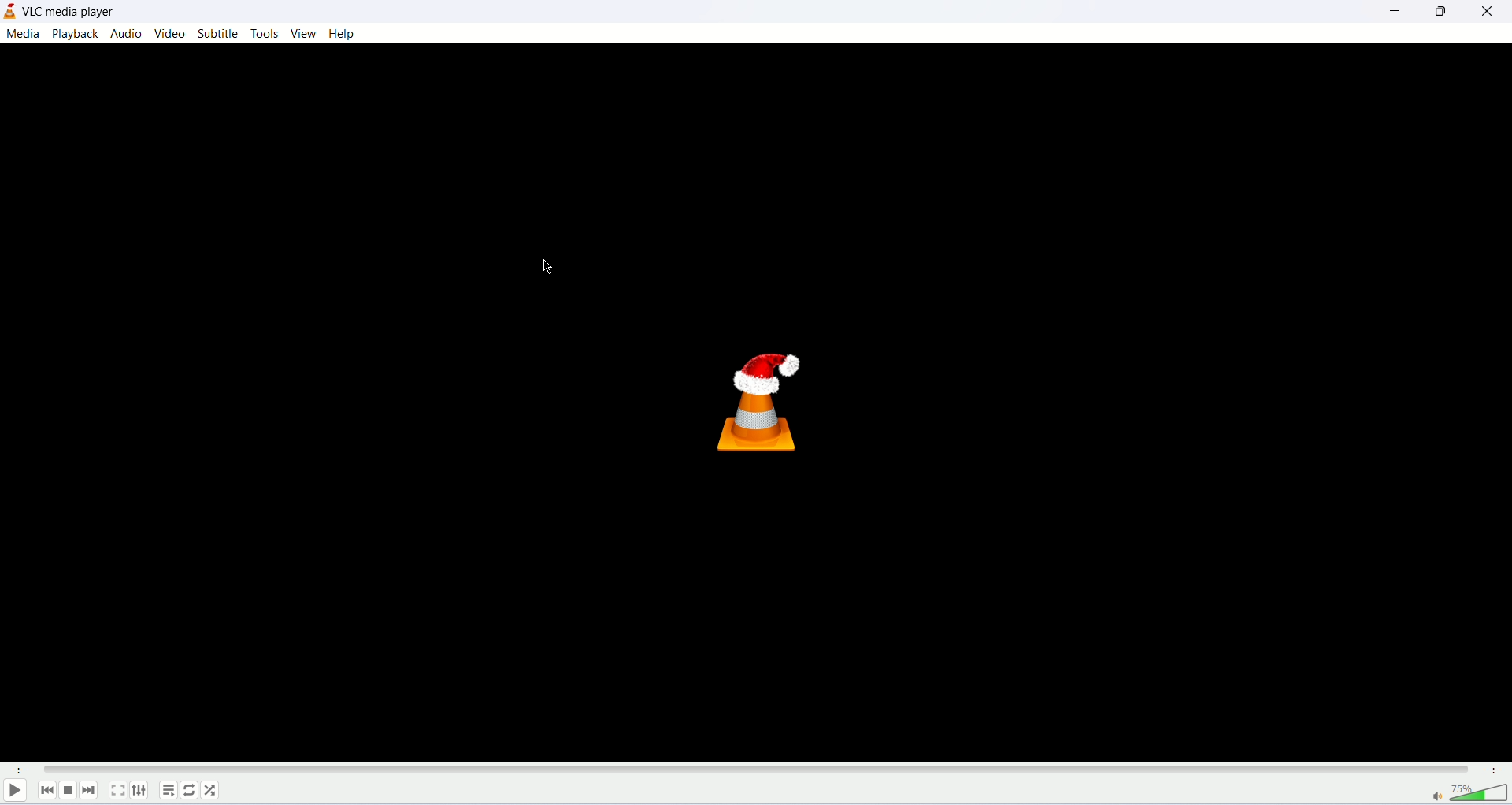 This screenshot has width=1512, height=805. Describe the element at coordinates (754, 402) in the screenshot. I see `main screen` at that location.